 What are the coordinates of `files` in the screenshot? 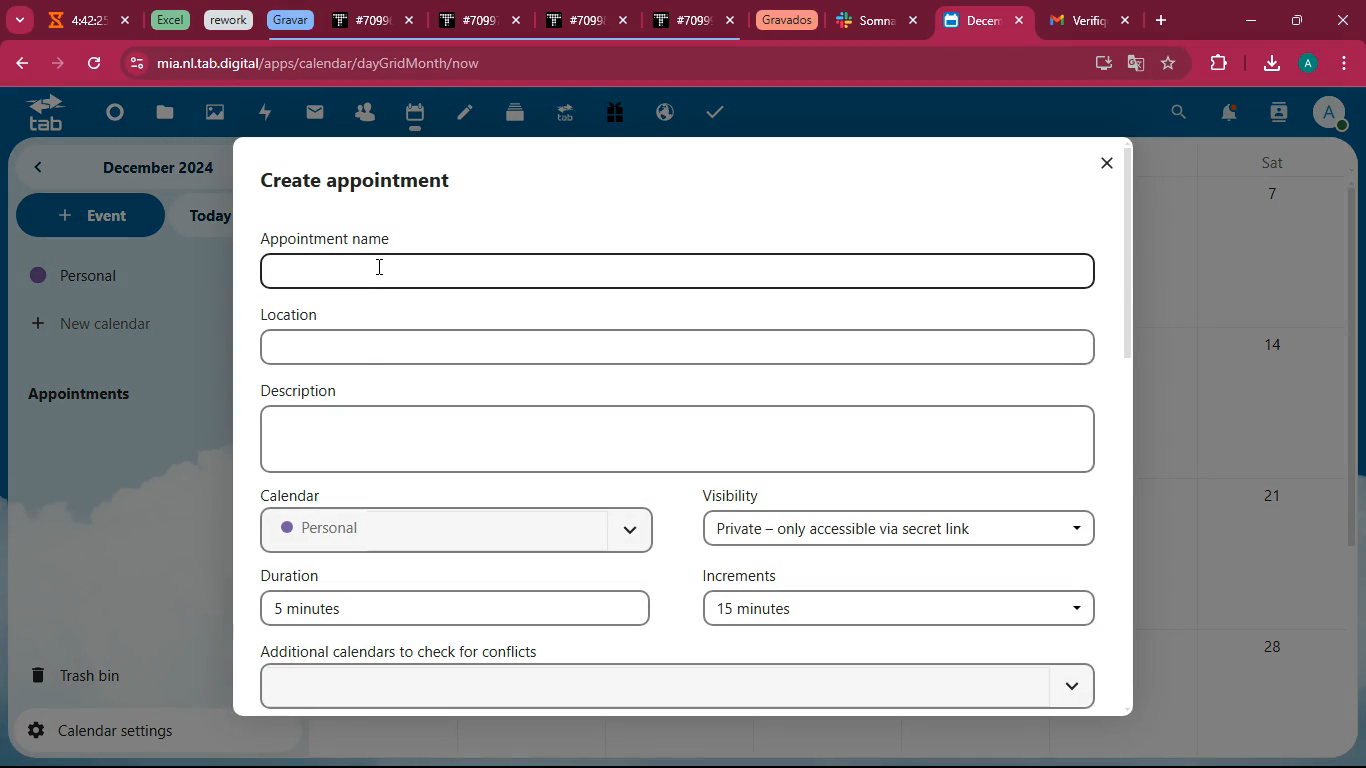 It's located at (161, 114).